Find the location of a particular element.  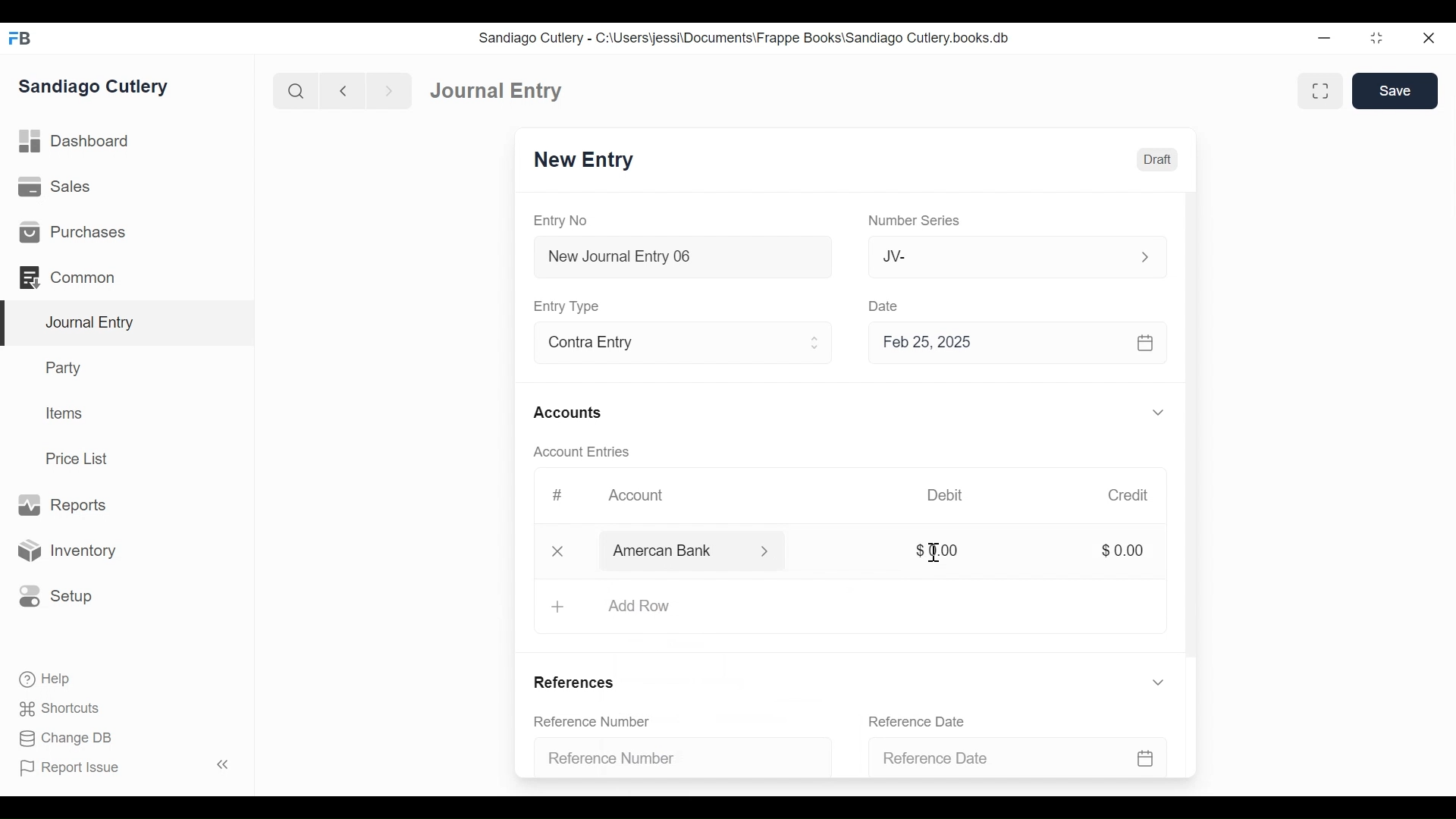

New Entry is located at coordinates (584, 160).